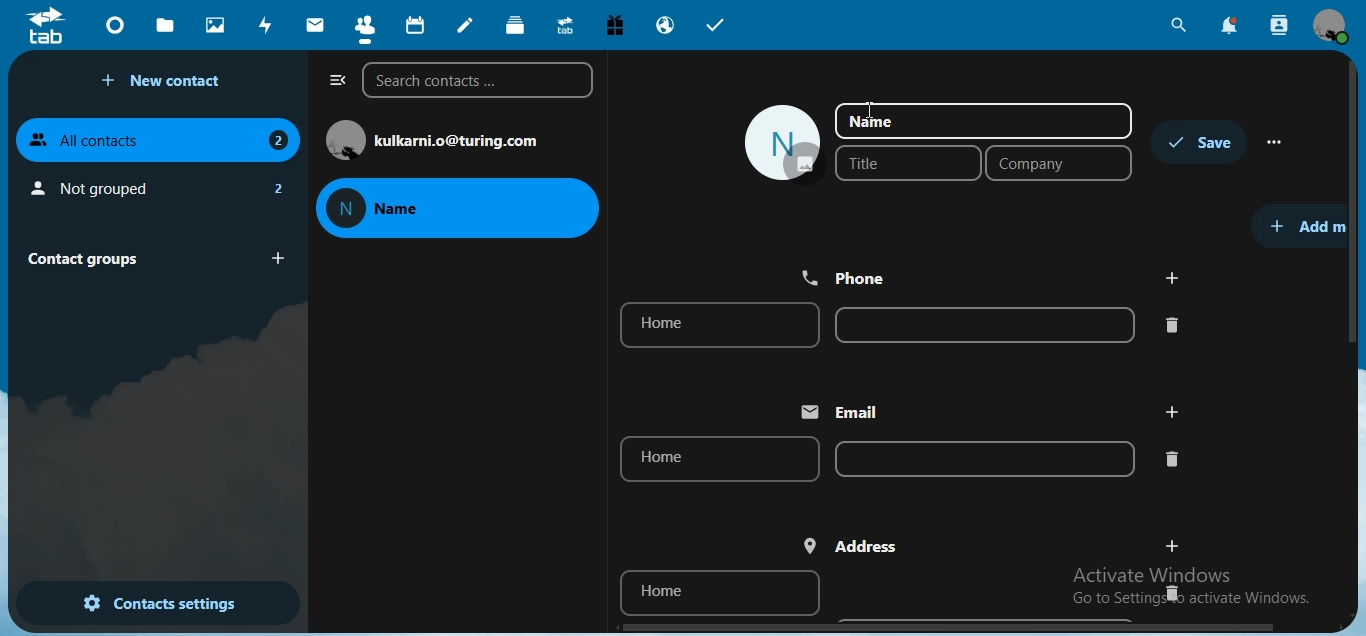  What do you see at coordinates (1180, 25) in the screenshot?
I see `search` at bounding box center [1180, 25].